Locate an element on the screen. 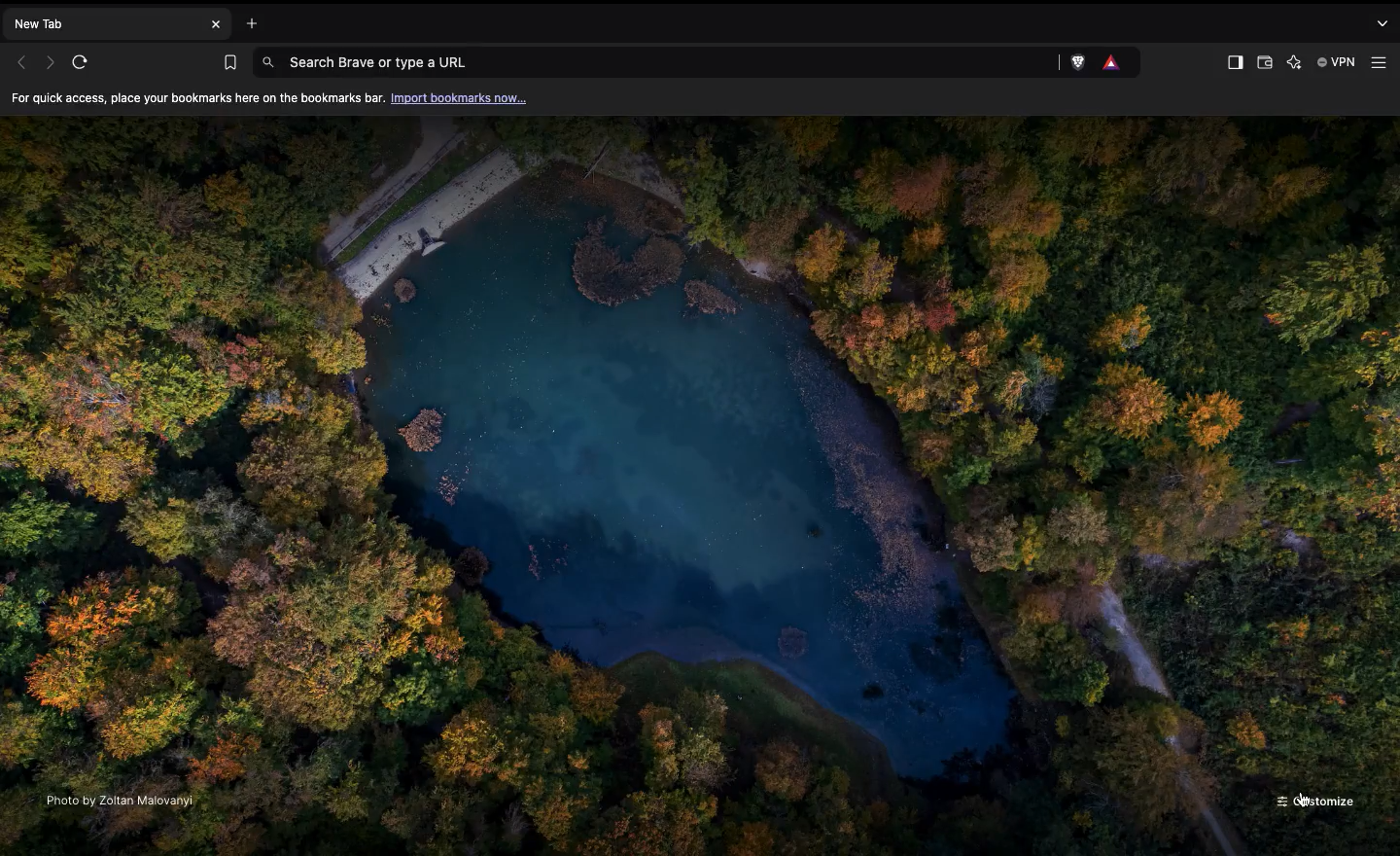 Image resolution: width=1400 pixels, height=856 pixels. Brave rewards is located at coordinates (1113, 63).